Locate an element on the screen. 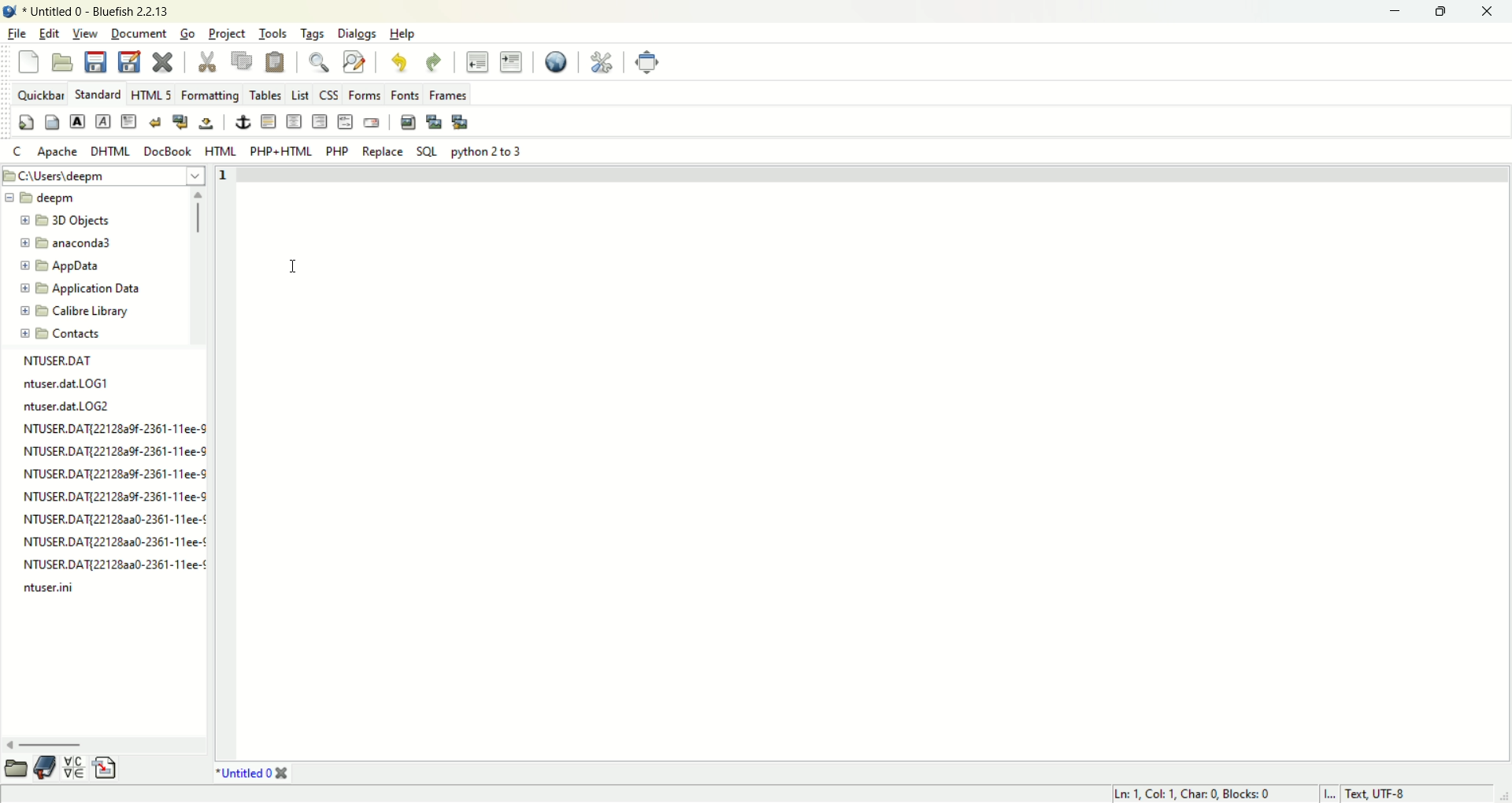  frames is located at coordinates (449, 96).